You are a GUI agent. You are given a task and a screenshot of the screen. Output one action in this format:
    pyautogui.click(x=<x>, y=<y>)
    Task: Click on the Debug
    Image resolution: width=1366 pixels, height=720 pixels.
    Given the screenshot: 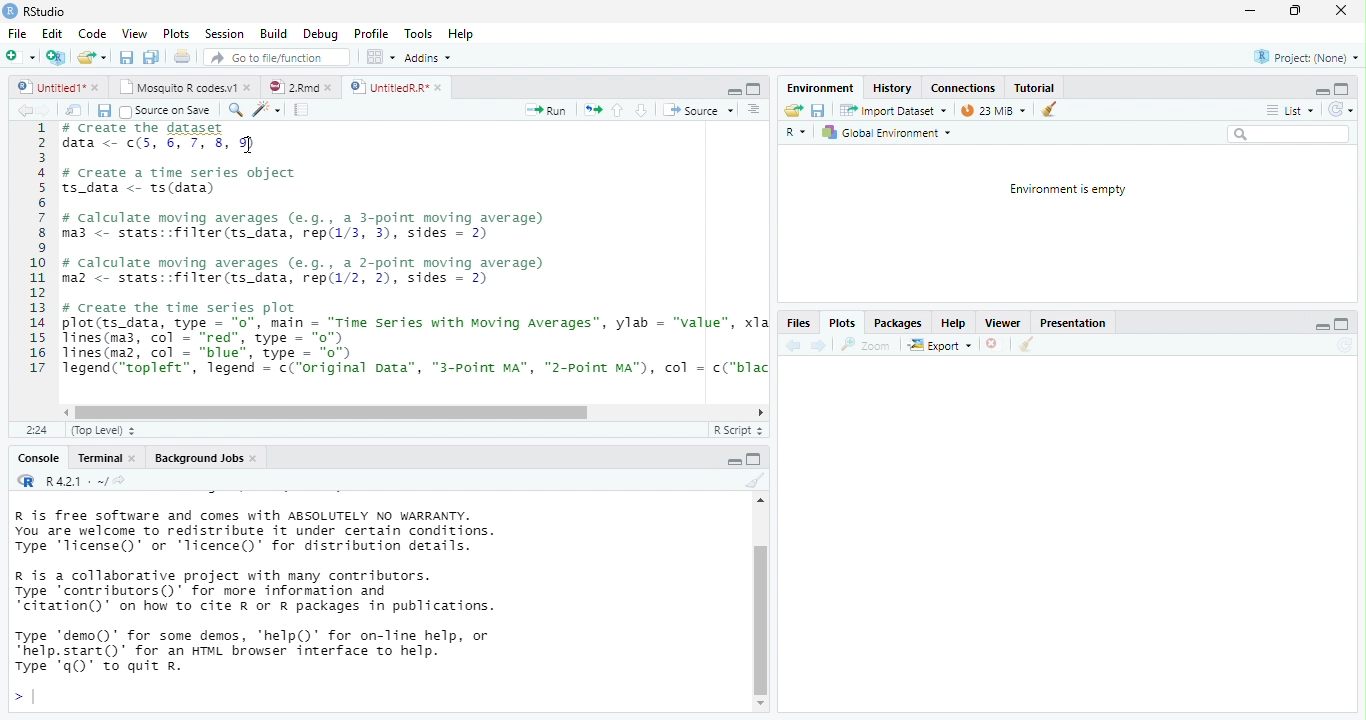 What is the action you would take?
    pyautogui.click(x=320, y=34)
    